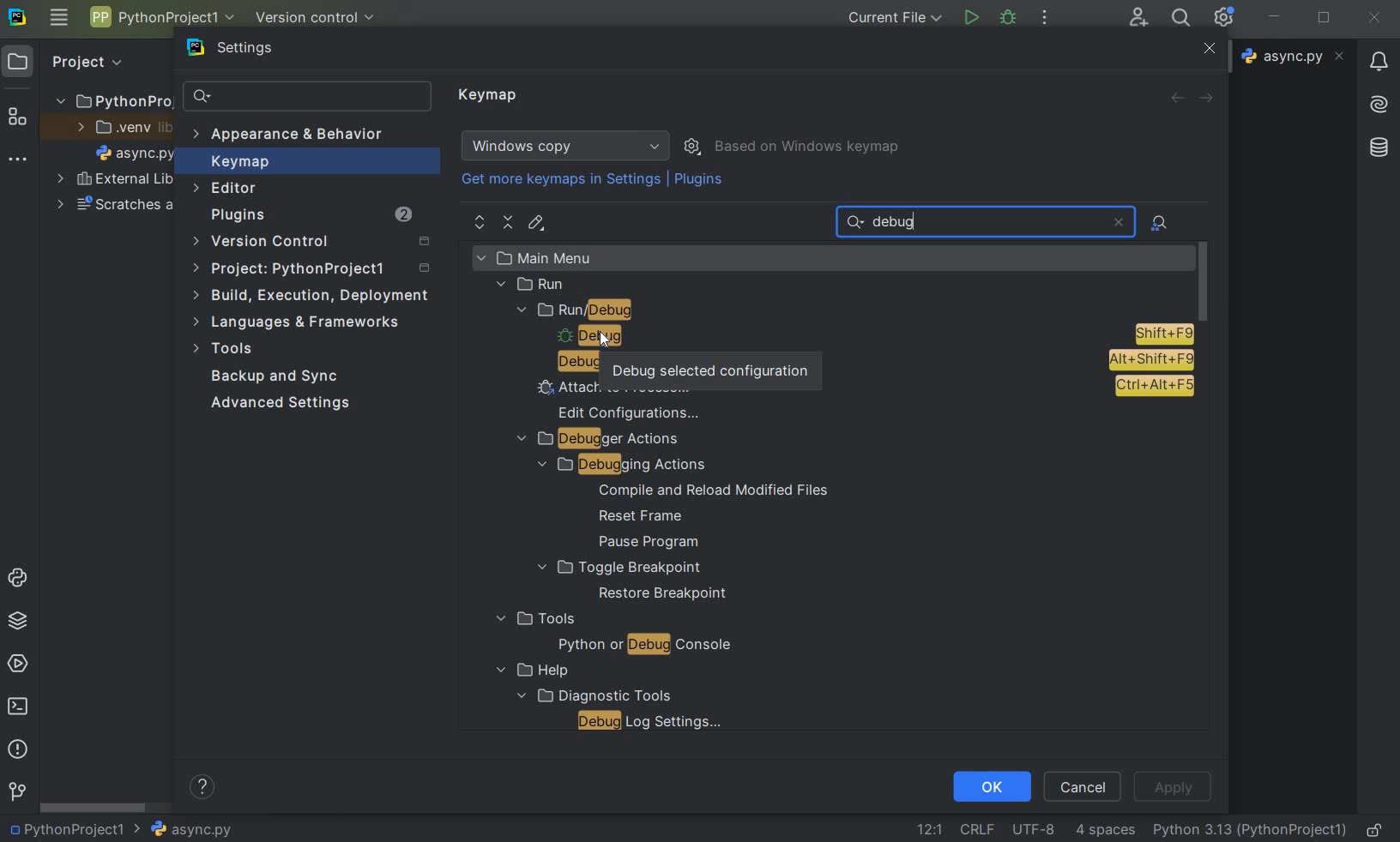  What do you see at coordinates (694, 145) in the screenshot?
I see `show scheme actions` at bounding box center [694, 145].